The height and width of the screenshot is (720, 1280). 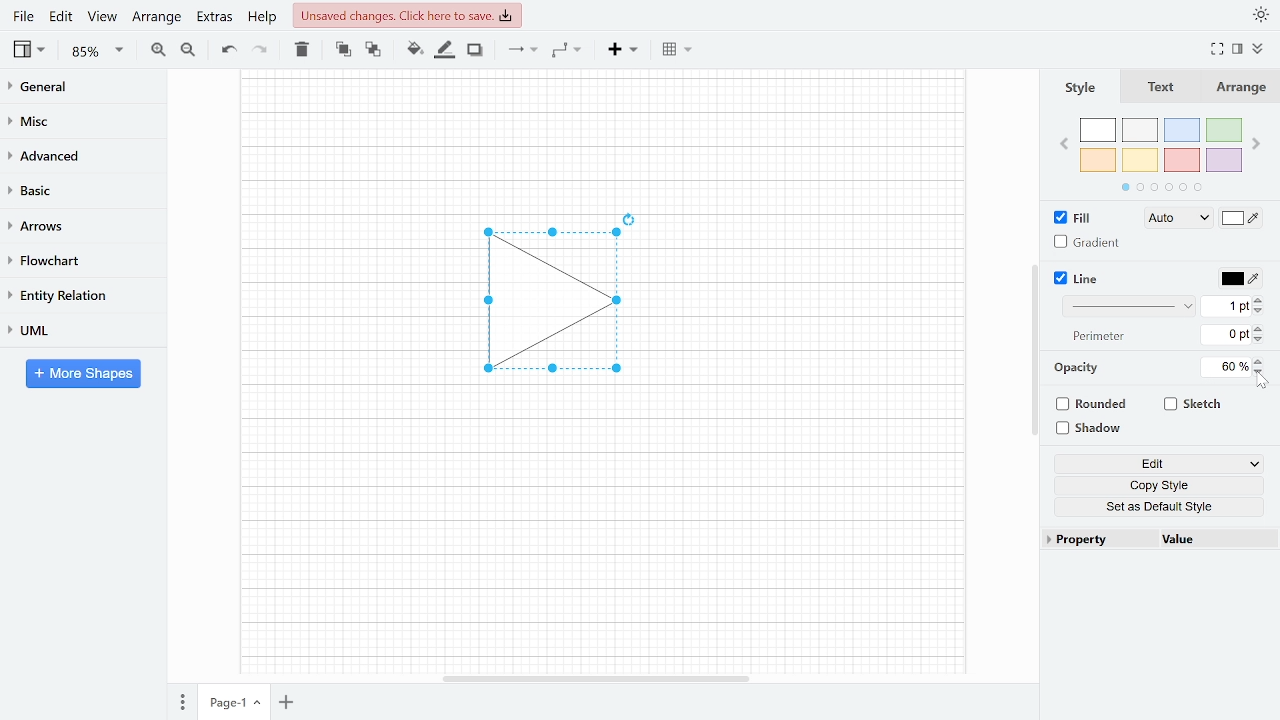 I want to click on Decrease perimeter, so click(x=1260, y=341).